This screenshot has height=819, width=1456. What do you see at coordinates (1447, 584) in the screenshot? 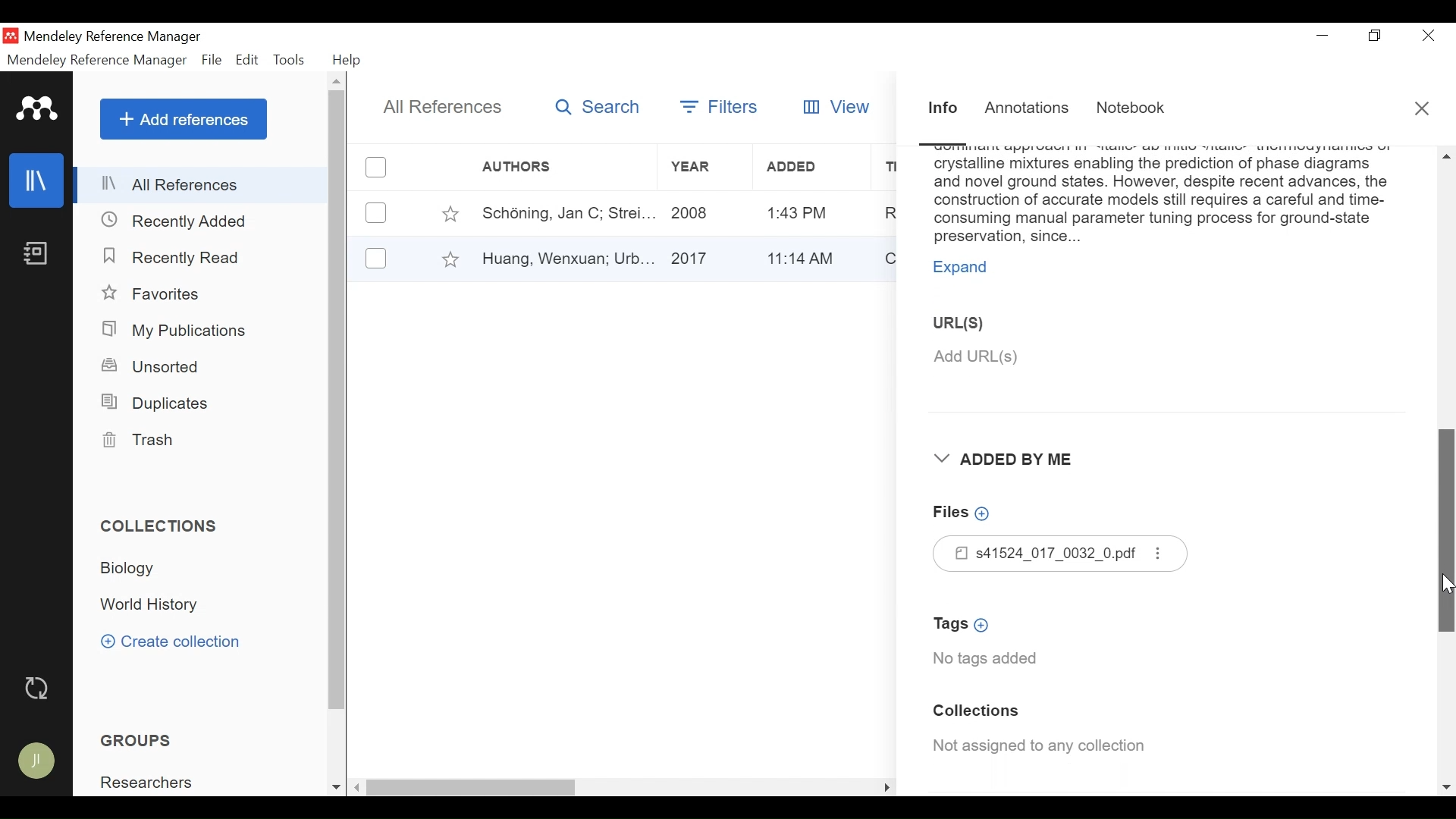
I see `Cursor` at bounding box center [1447, 584].